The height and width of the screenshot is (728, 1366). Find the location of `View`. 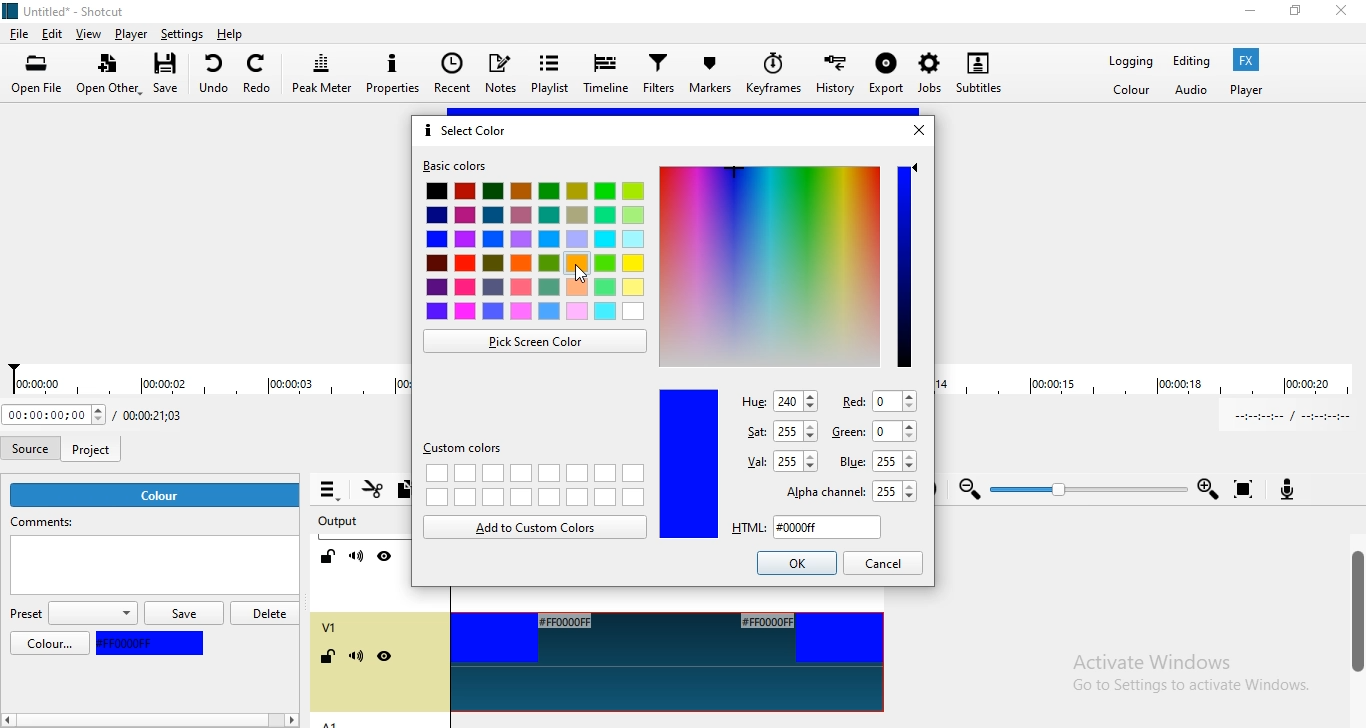

View is located at coordinates (89, 33).